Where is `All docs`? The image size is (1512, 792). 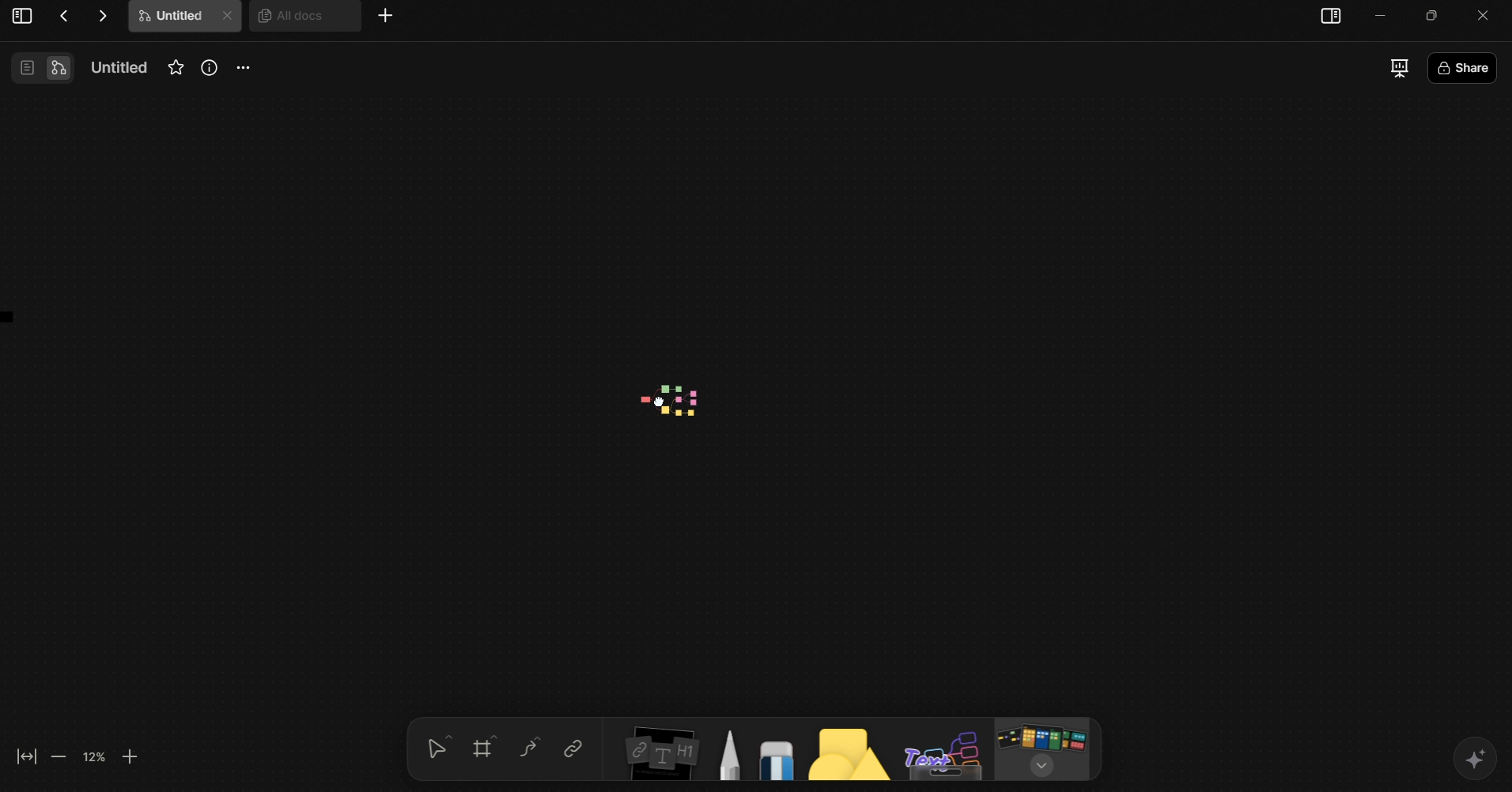 All docs is located at coordinates (302, 23).